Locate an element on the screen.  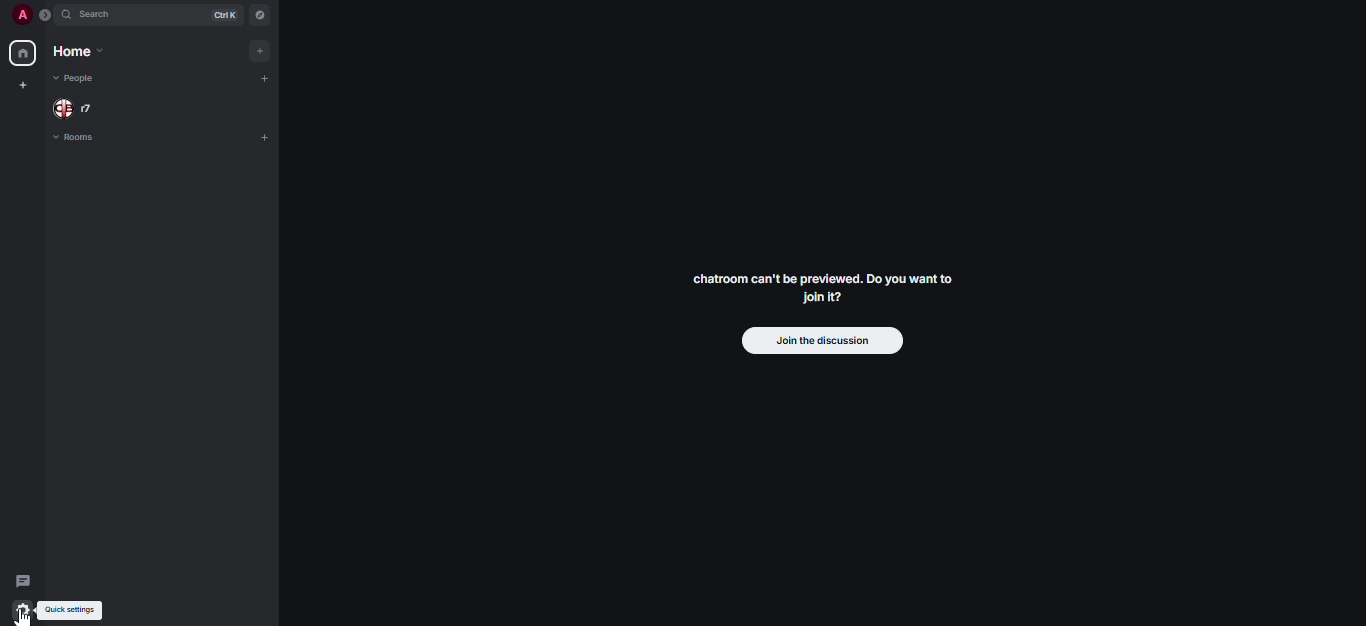
profile is located at coordinates (22, 14).